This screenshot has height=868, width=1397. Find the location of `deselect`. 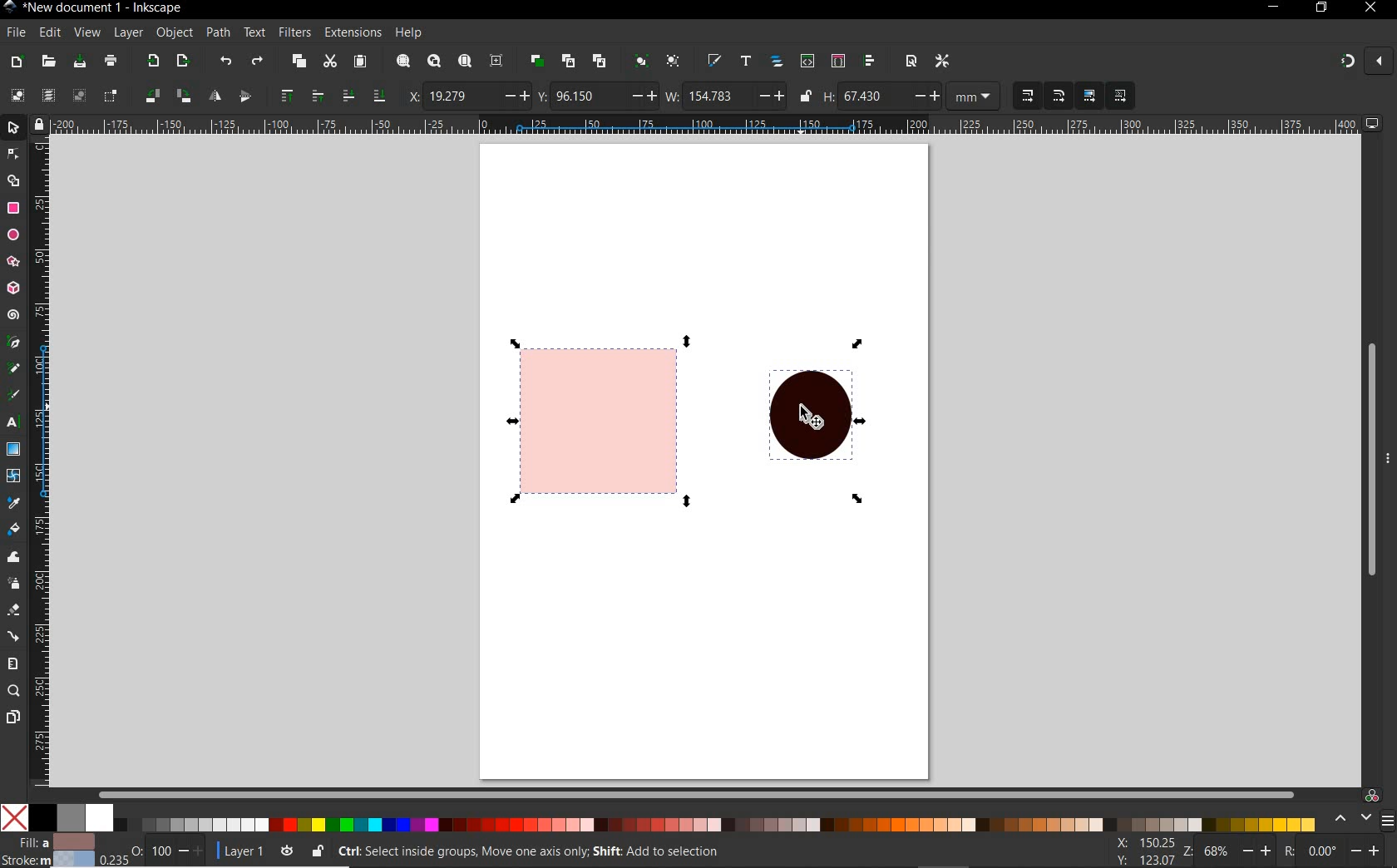

deselect is located at coordinates (79, 97).